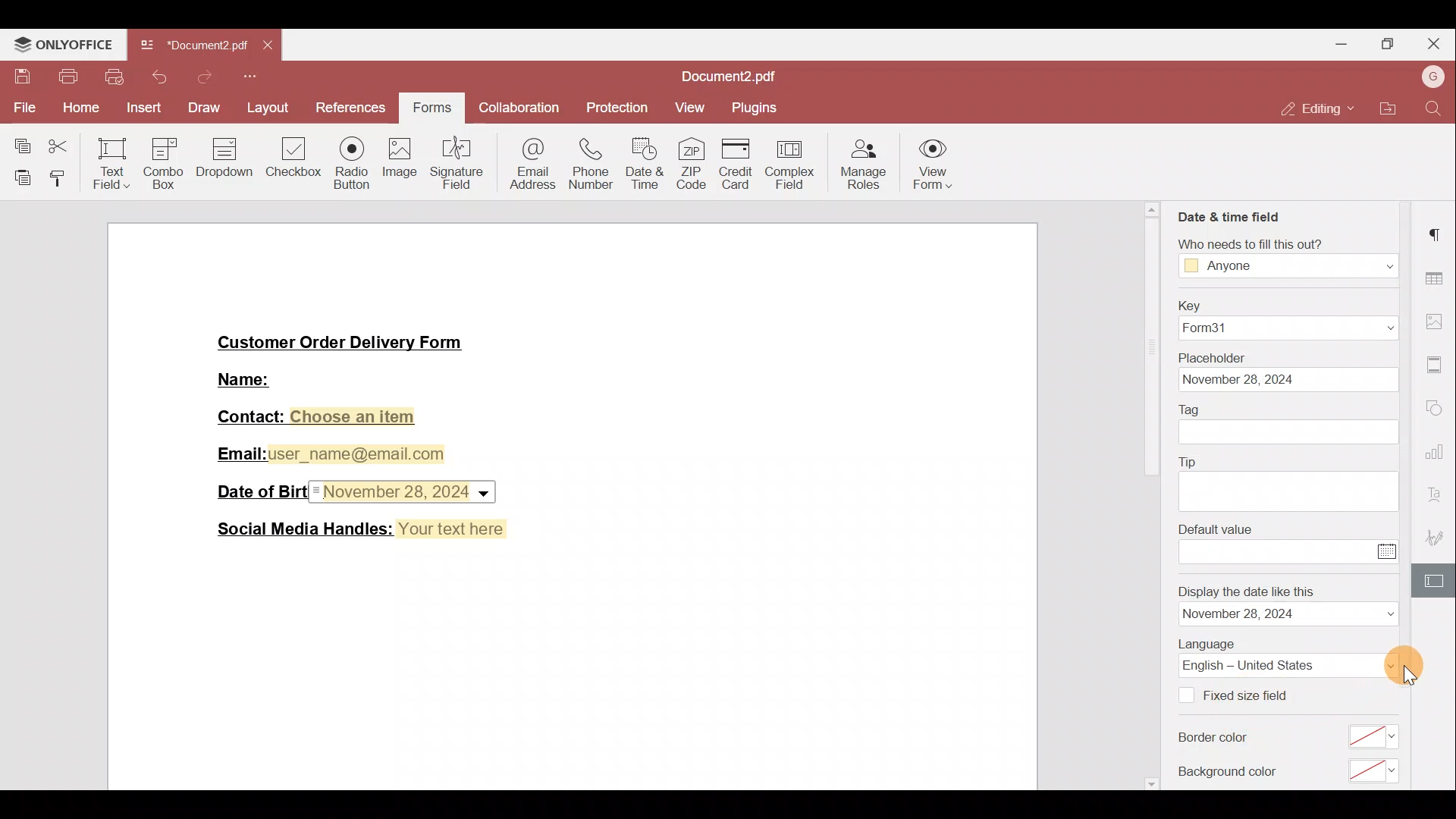 The width and height of the screenshot is (1456, 819). Describe the element at coordinates (1408, 673) in the screenshot. I see `cursor` at that location.